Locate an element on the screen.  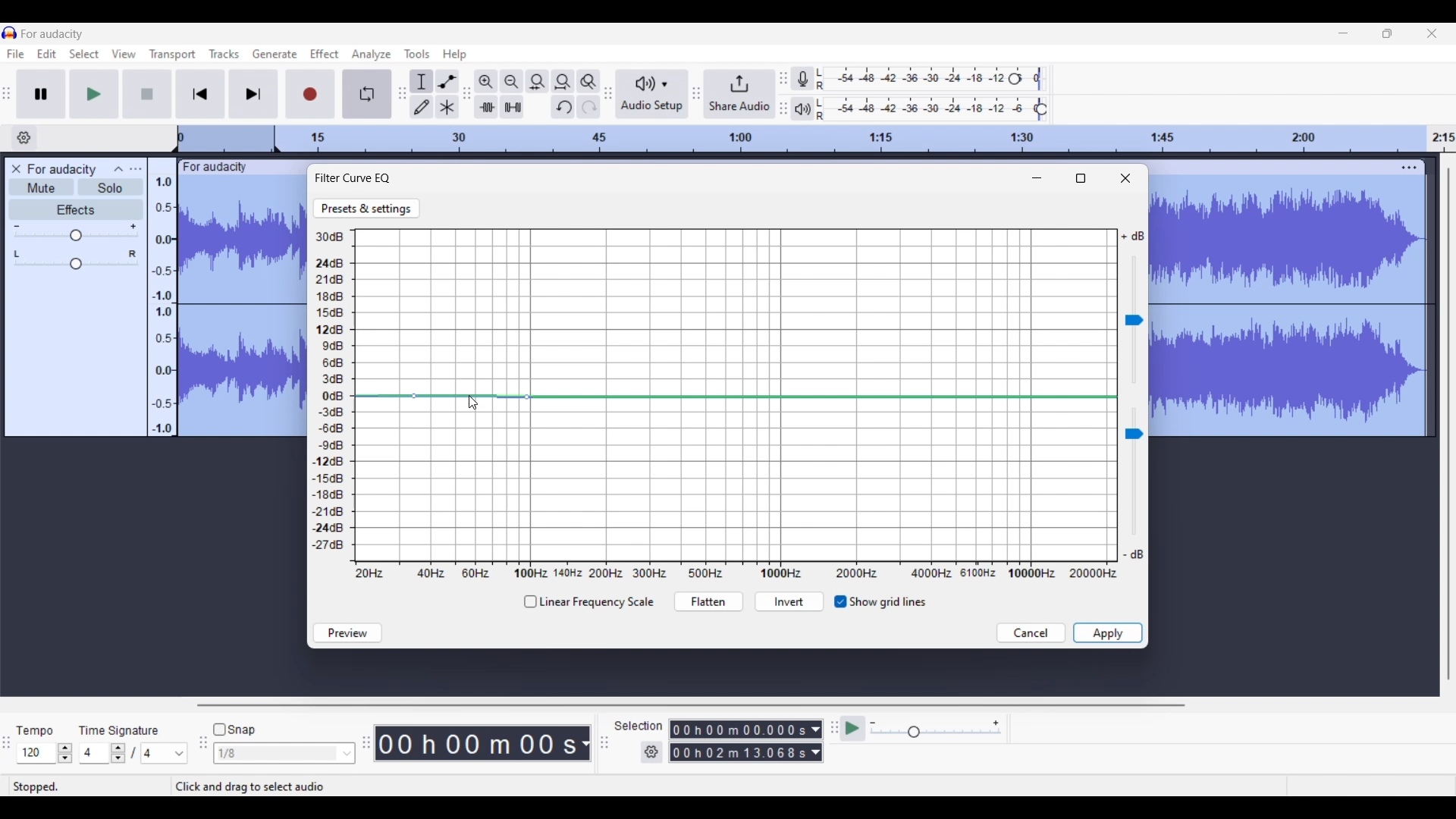
Flatten curve is located at coordinates (708, 602).